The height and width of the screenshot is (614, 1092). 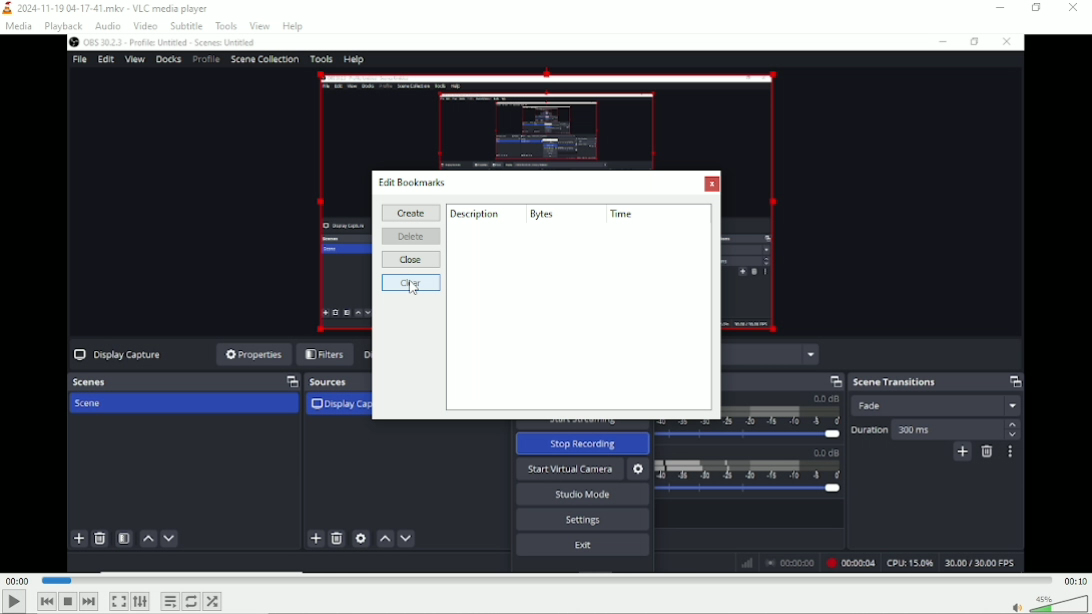 What do you see at coordinates (412, 180) in the screenshot?
I see `Edit bookmarks` at bounding box center [412, 180].